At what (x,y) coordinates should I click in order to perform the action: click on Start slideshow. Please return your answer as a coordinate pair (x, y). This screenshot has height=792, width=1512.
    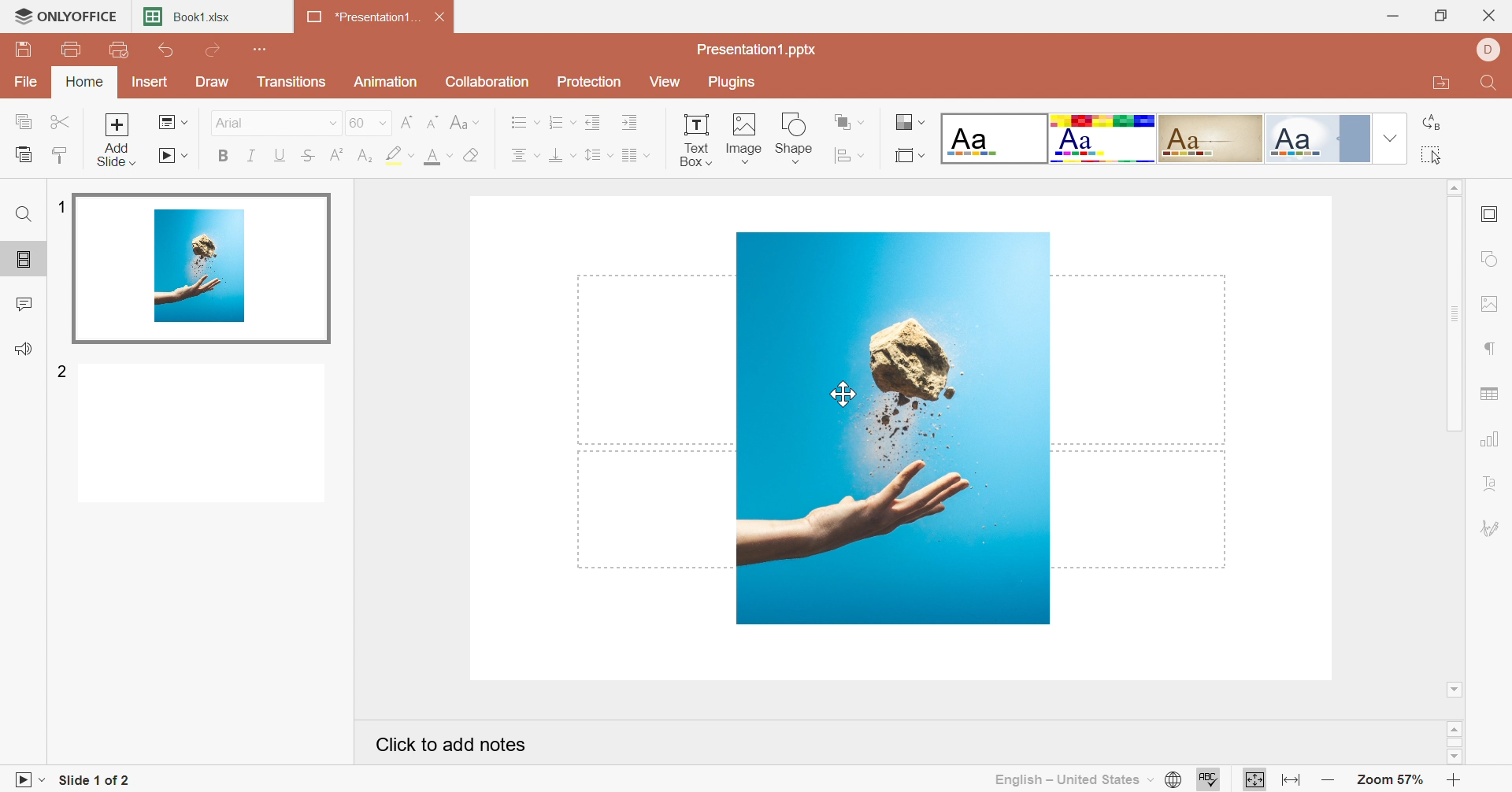
    Looking at the image, I should click on (26, 780).